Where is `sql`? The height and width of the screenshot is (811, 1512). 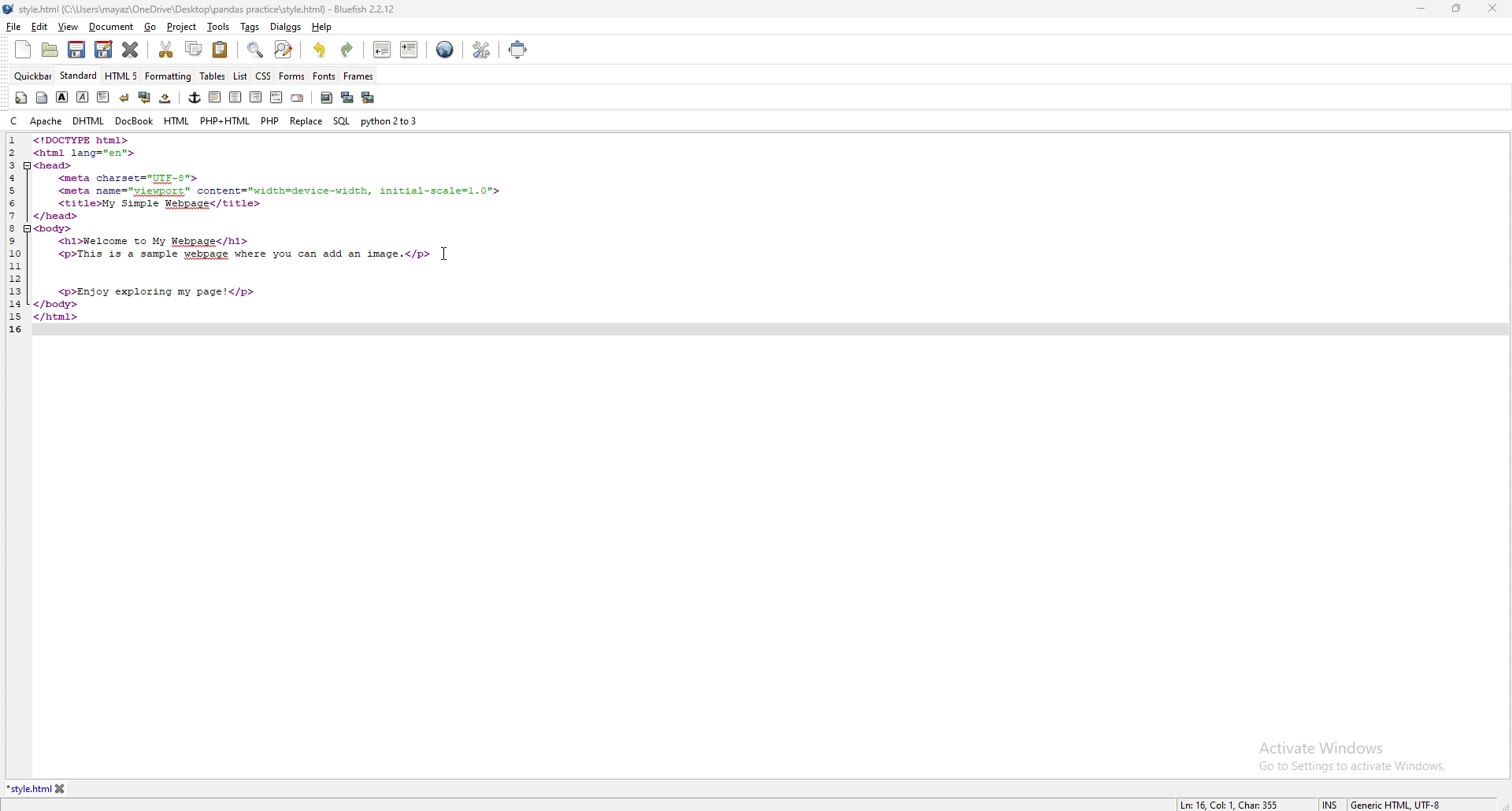 sql is located at coordinates (343, 121).